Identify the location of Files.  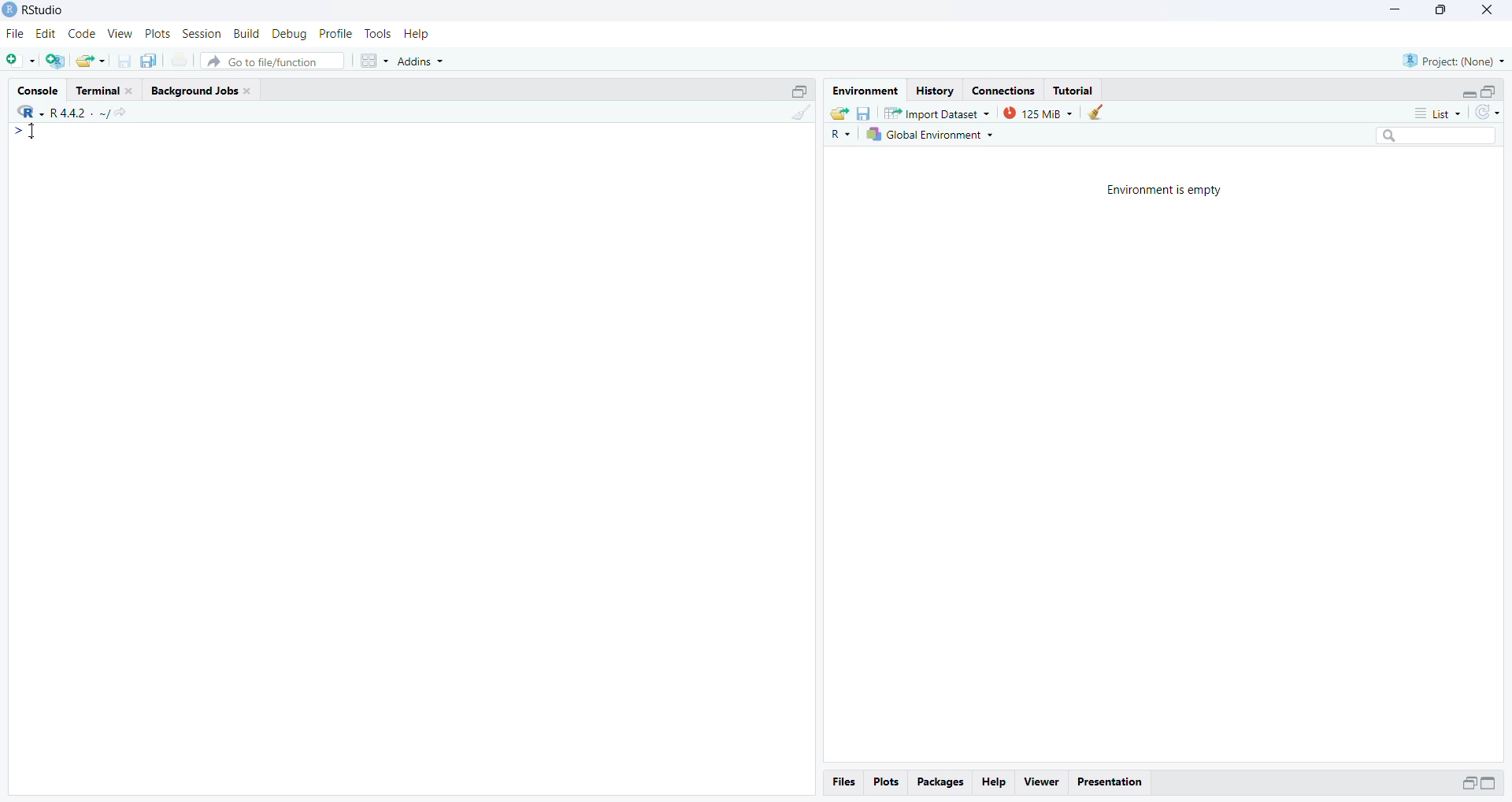
(844, 782).